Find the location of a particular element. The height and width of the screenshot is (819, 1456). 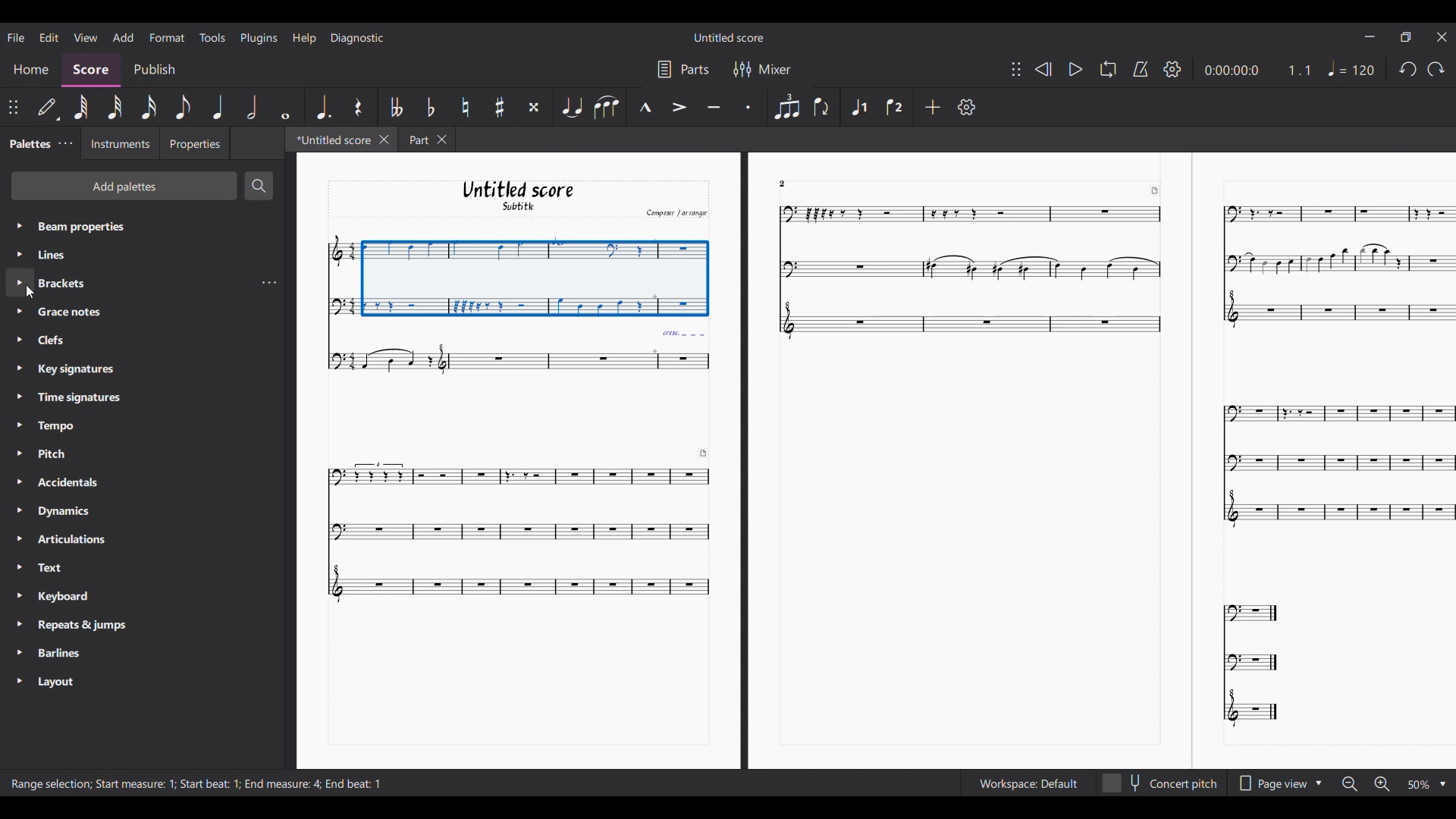

Toggle sharp is located at coordinates (500, 107).